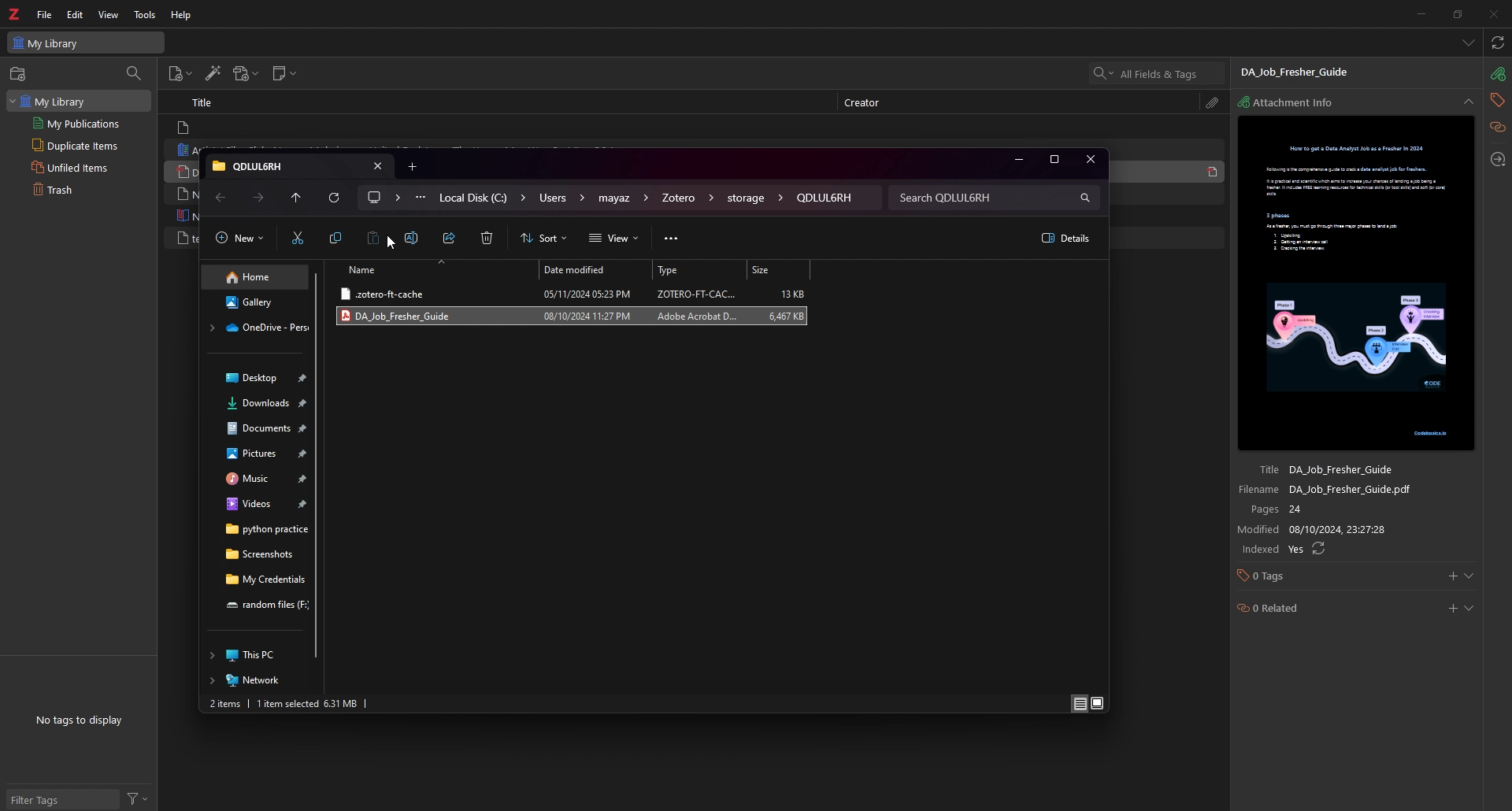  What do you see at coordinates (85, 43) in the screenshot?
I see `my library` at bounding box center [85, 43].